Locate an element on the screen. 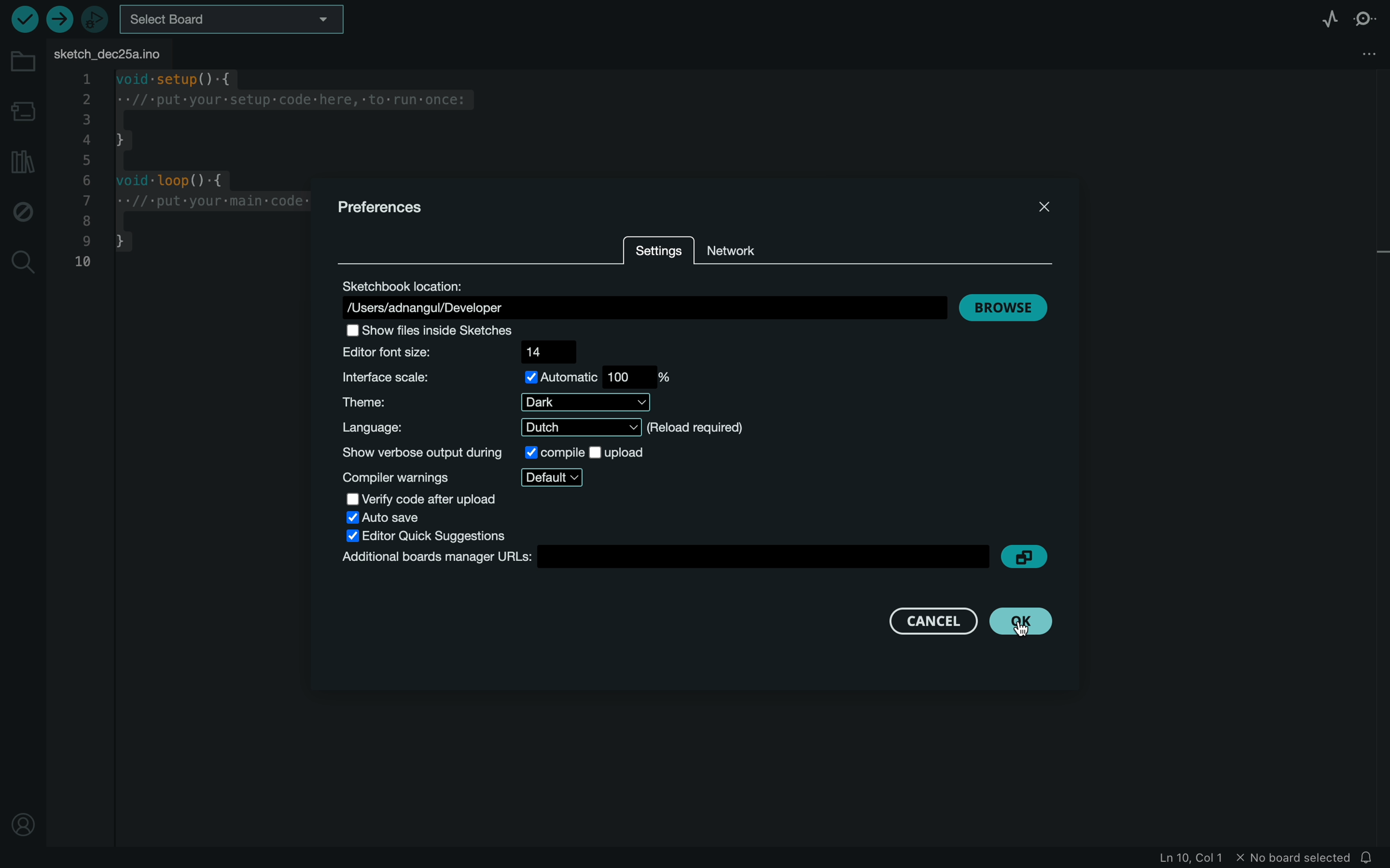 The height and width of the screenshot is (868, 1390). clicked is located at coordinates (1020, 623).